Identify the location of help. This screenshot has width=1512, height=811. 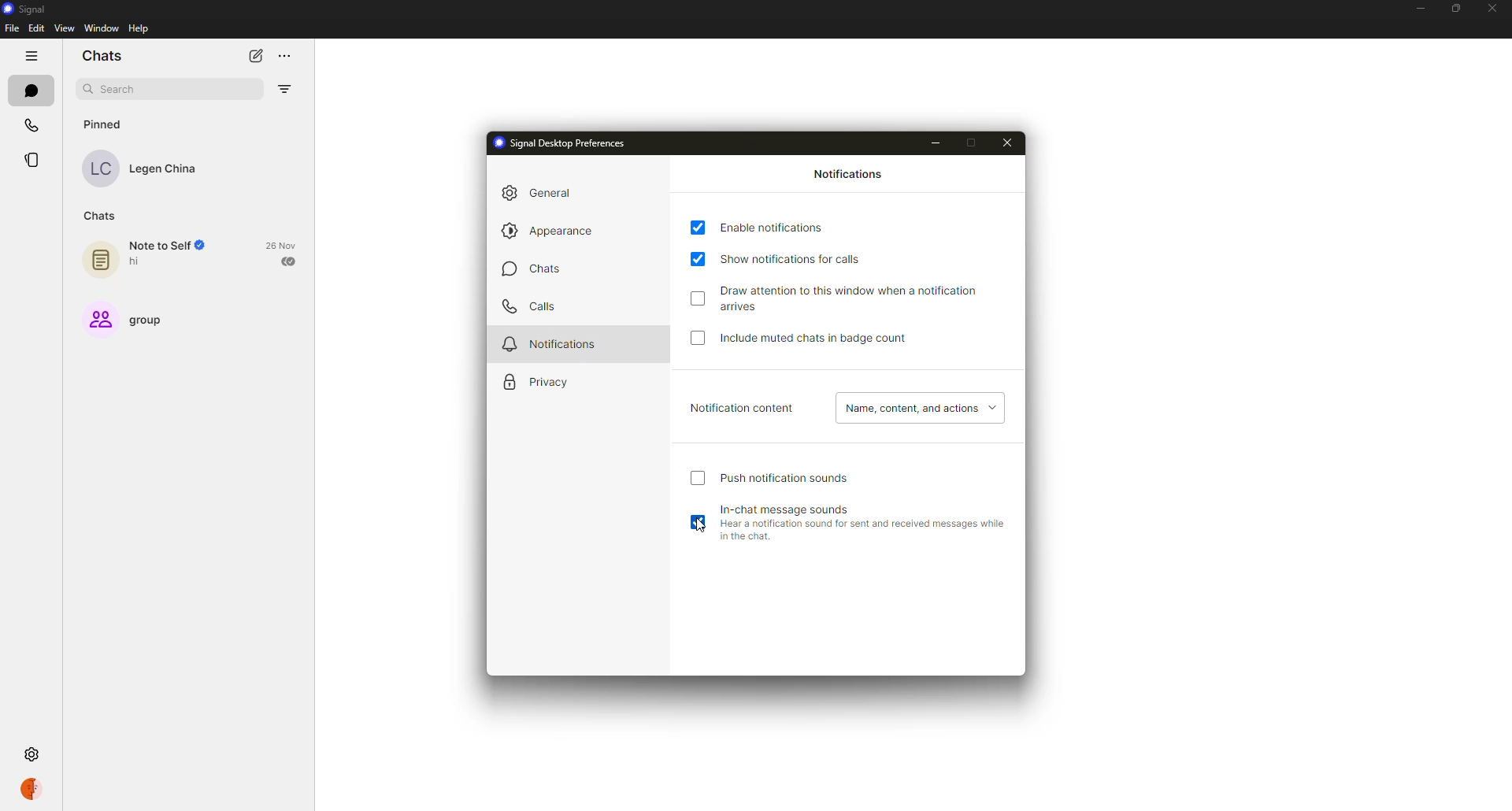
(141, 28).